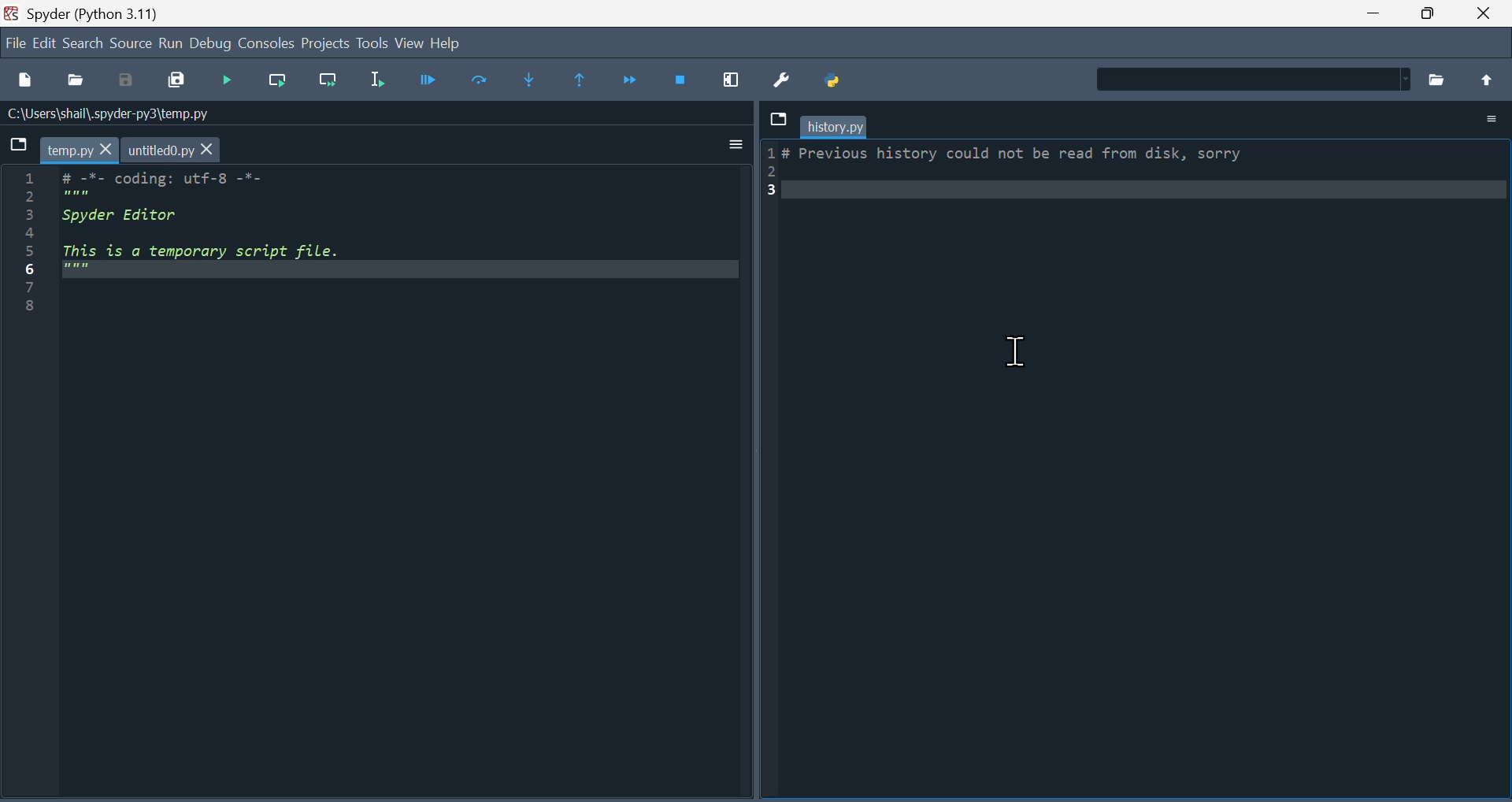  What do you see at coordinates (76, 80) in the screenshot?
I see `Open file` at bounding box center [76, 80].